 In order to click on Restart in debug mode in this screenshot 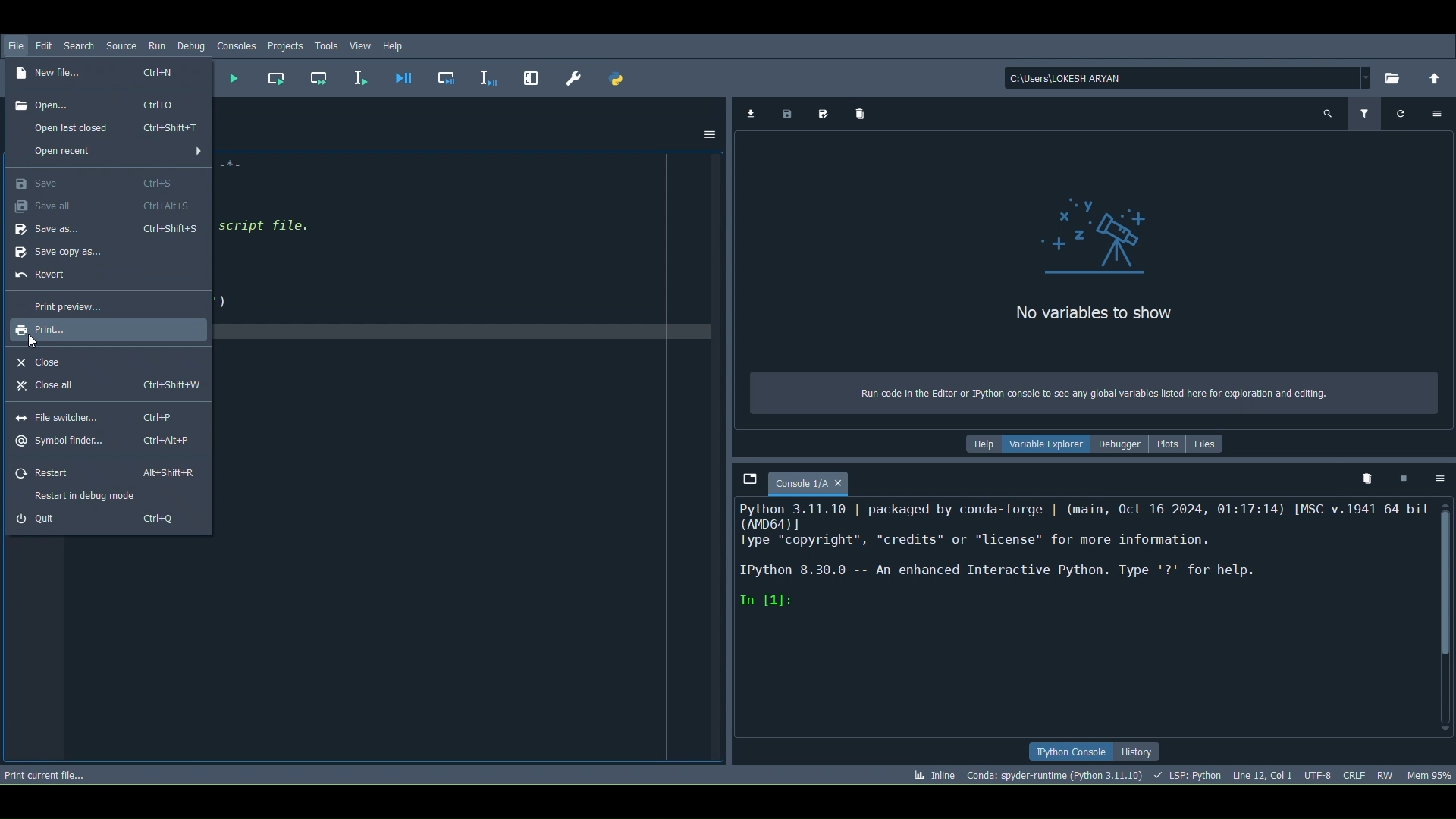, I will do `click(86, 495)`.